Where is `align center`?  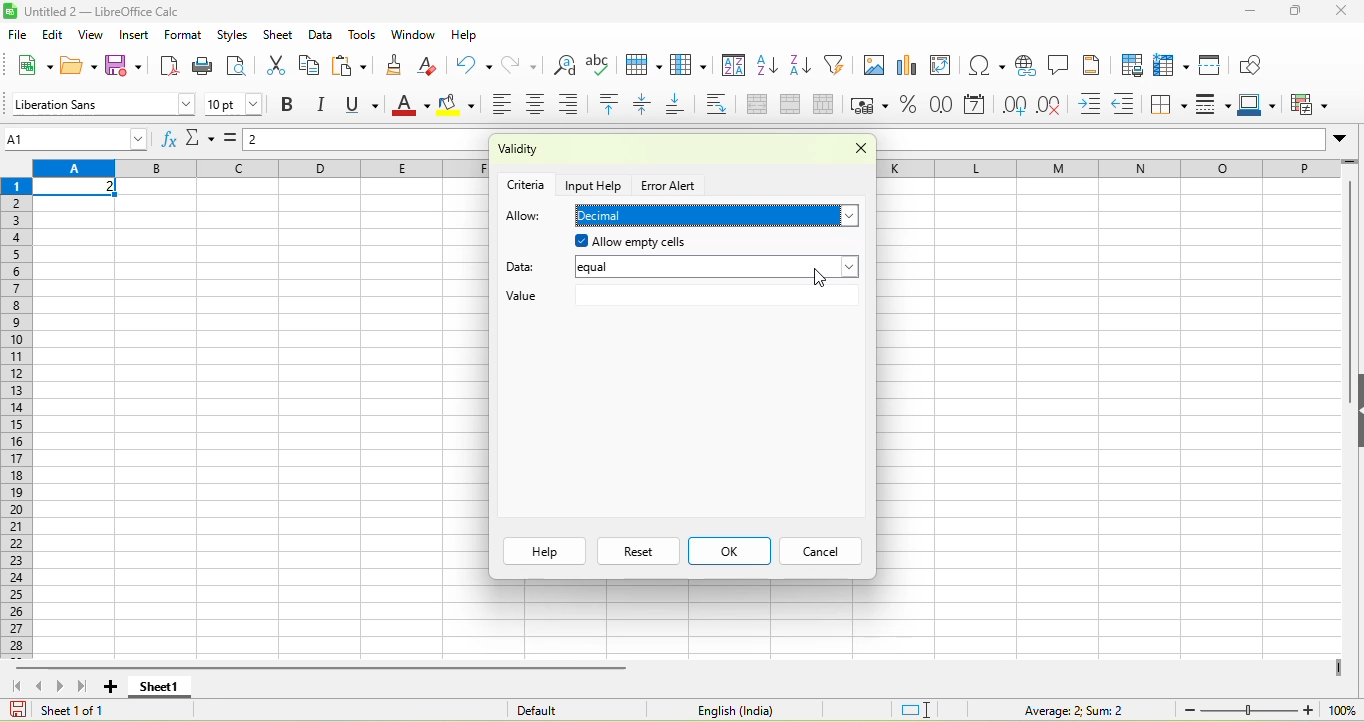
align center is located at coordinates (539, 106).